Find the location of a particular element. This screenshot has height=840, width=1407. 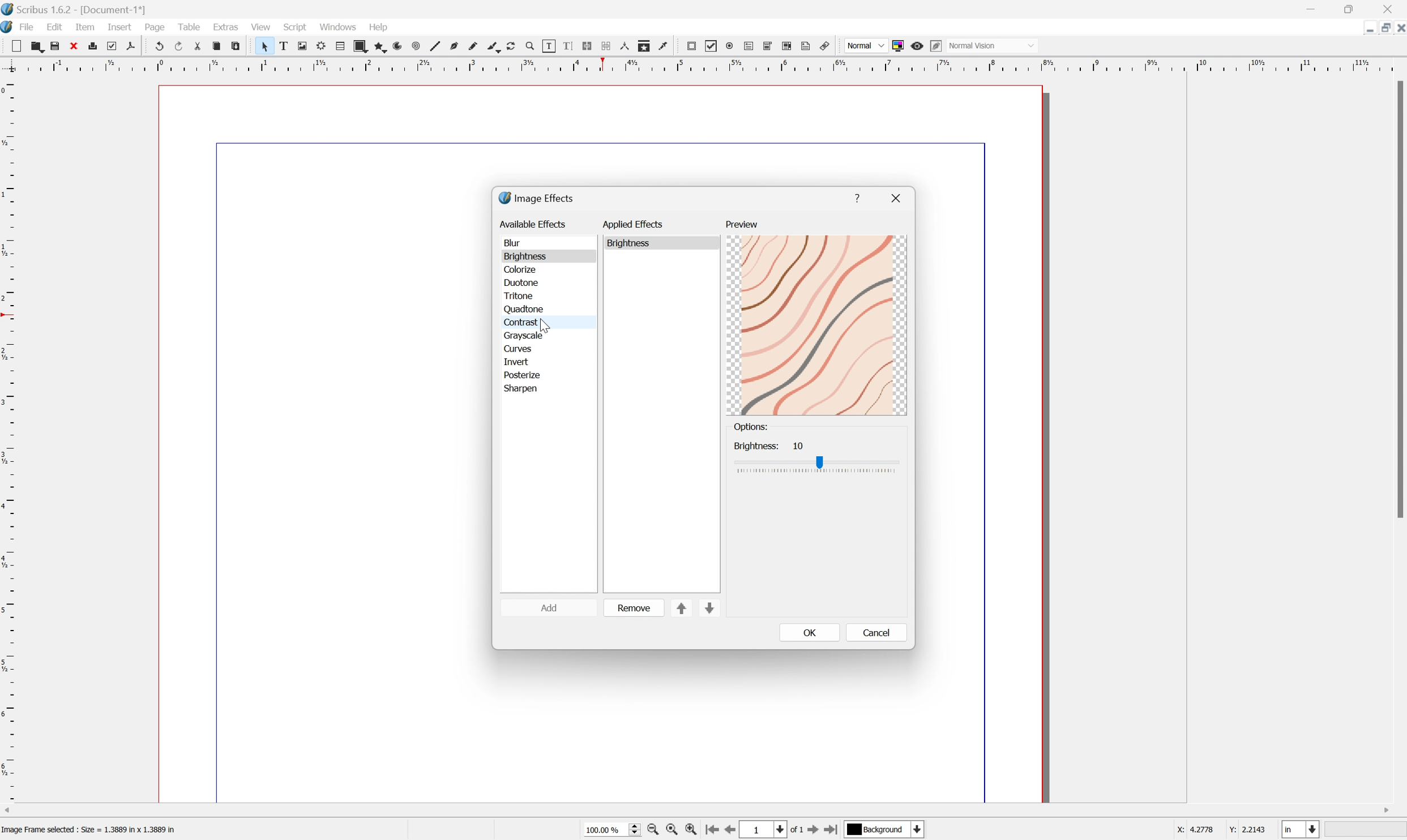

applied effects is located at coordinates (634, 222).